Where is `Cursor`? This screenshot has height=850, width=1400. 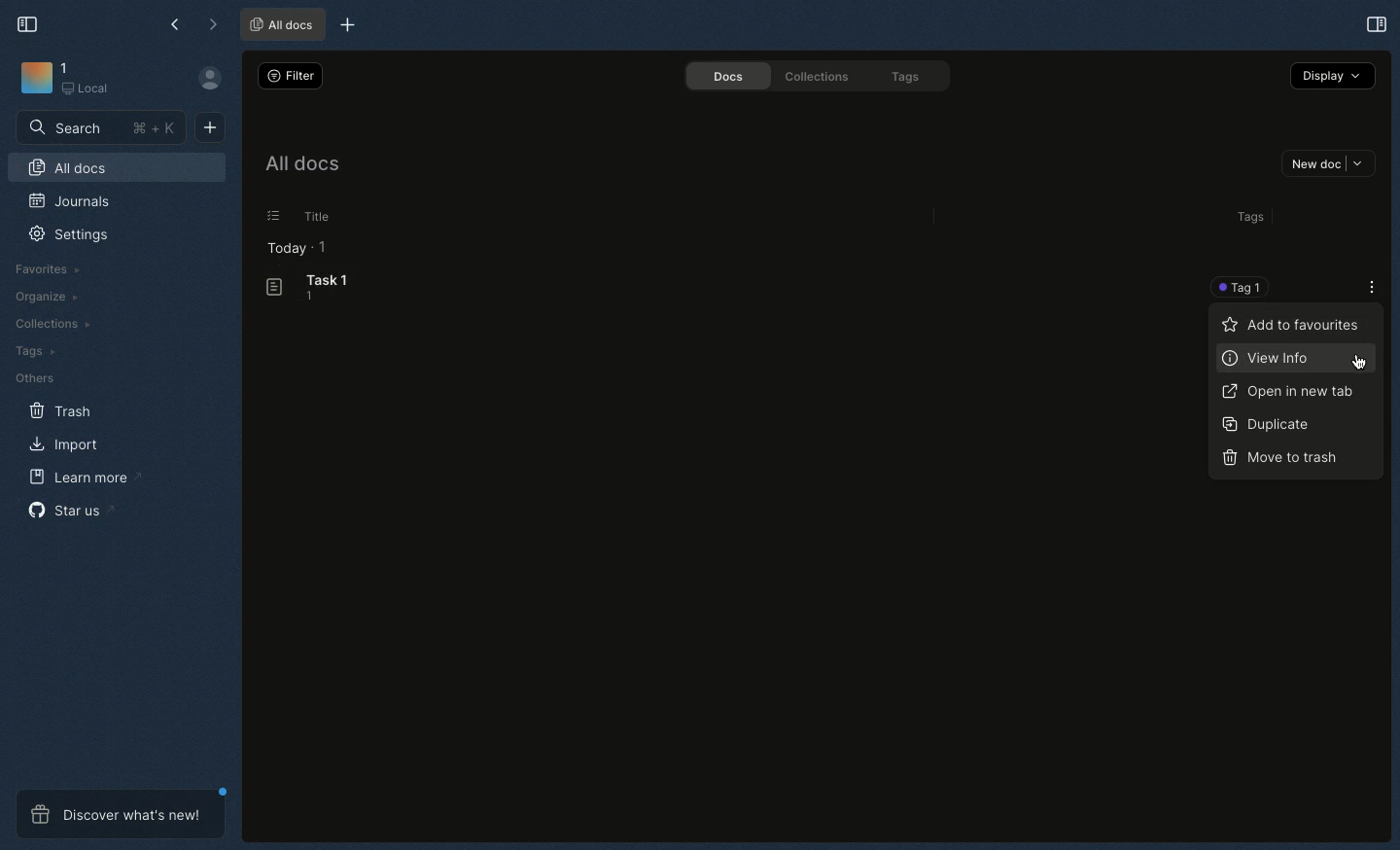 Cursor is located at coordinates (1357, 362).